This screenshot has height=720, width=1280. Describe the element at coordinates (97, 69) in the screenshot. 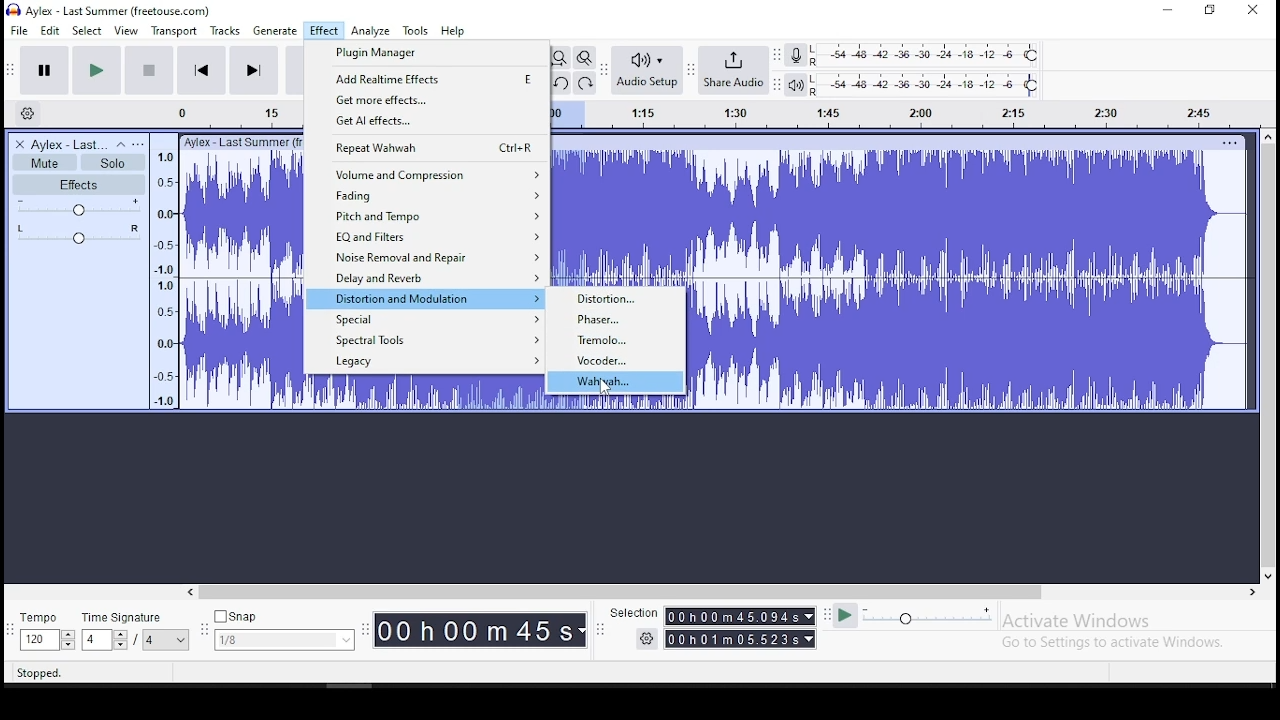

I see `play` at that location.